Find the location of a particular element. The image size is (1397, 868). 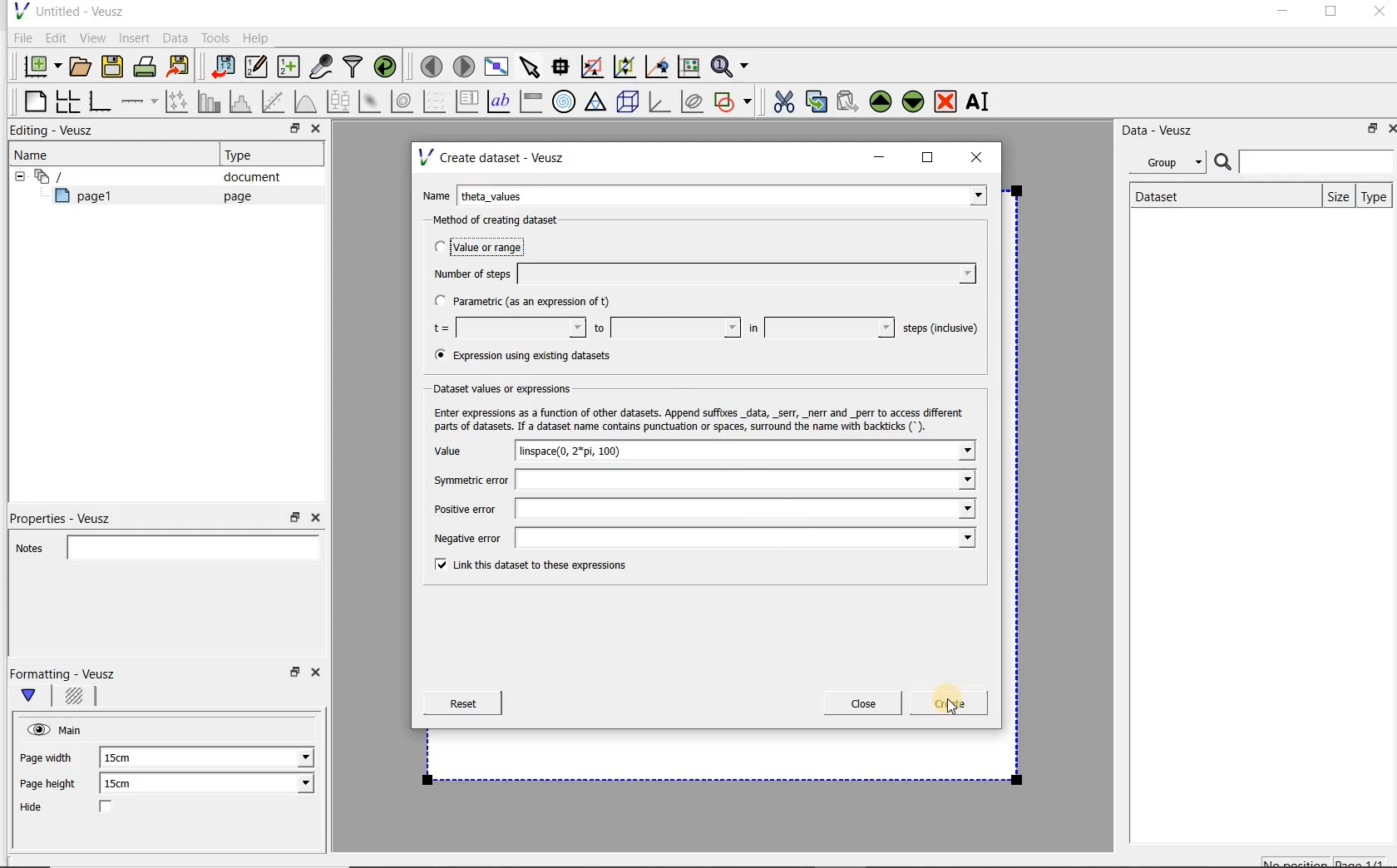

plot a 2d dataset as contours is located at coordinates (403, 101).